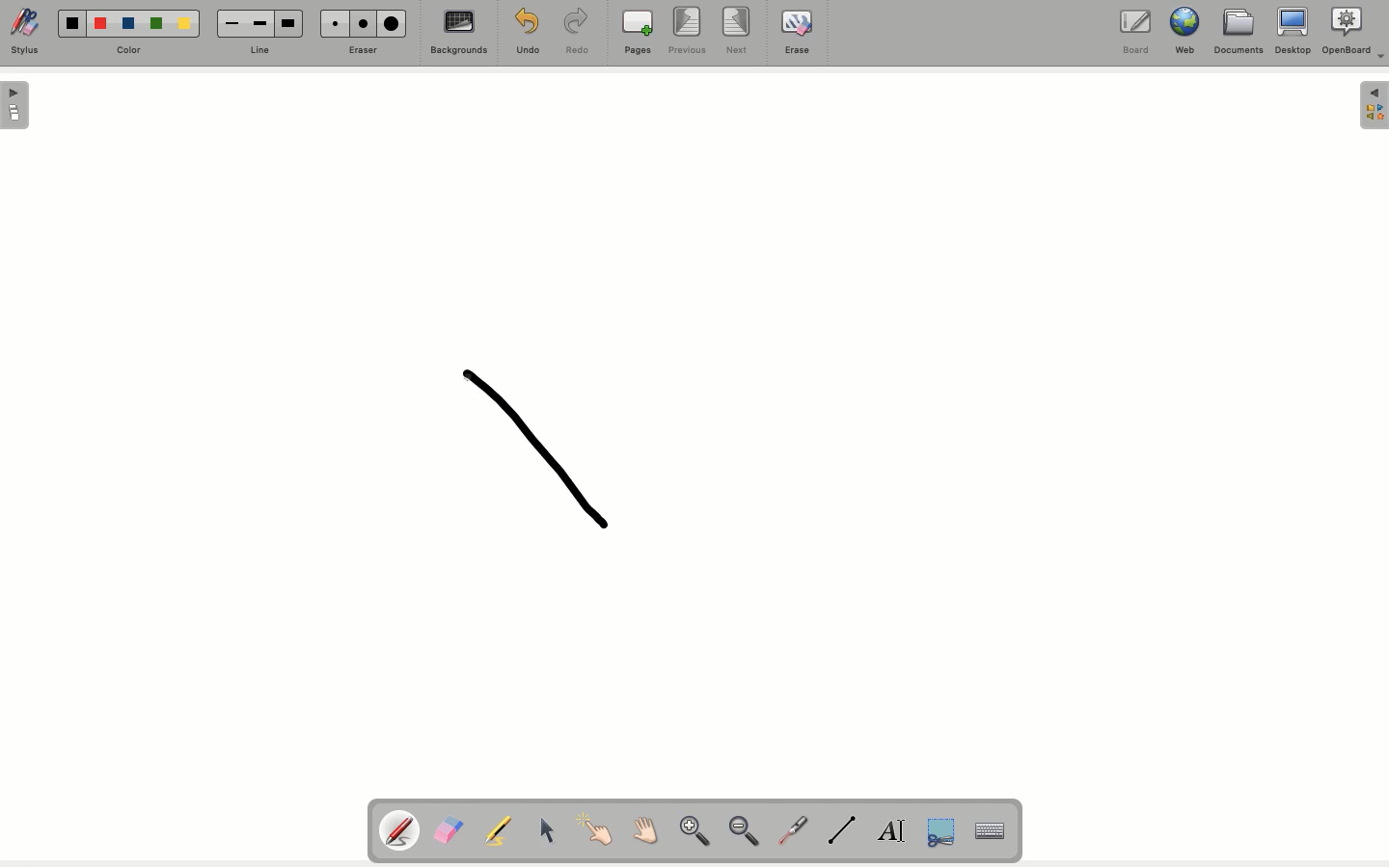 This screenshot has height=868, width=1389. What do you see at coordinates (460, 36) in the screenshot?
I see `Backgrounds` at bounding box center [460, 36].